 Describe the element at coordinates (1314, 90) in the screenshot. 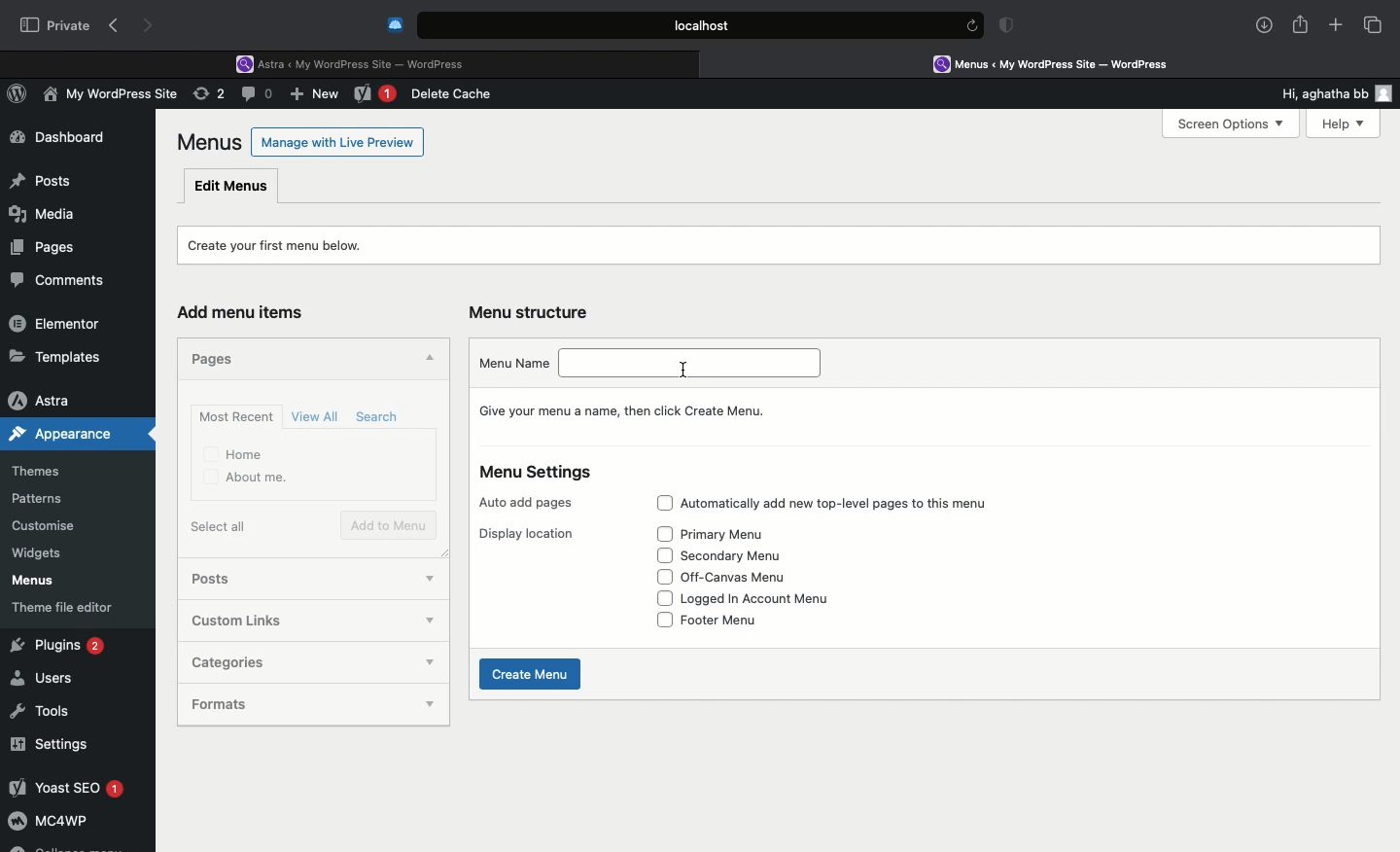

I see `Hi, aghatha bb` at that location.